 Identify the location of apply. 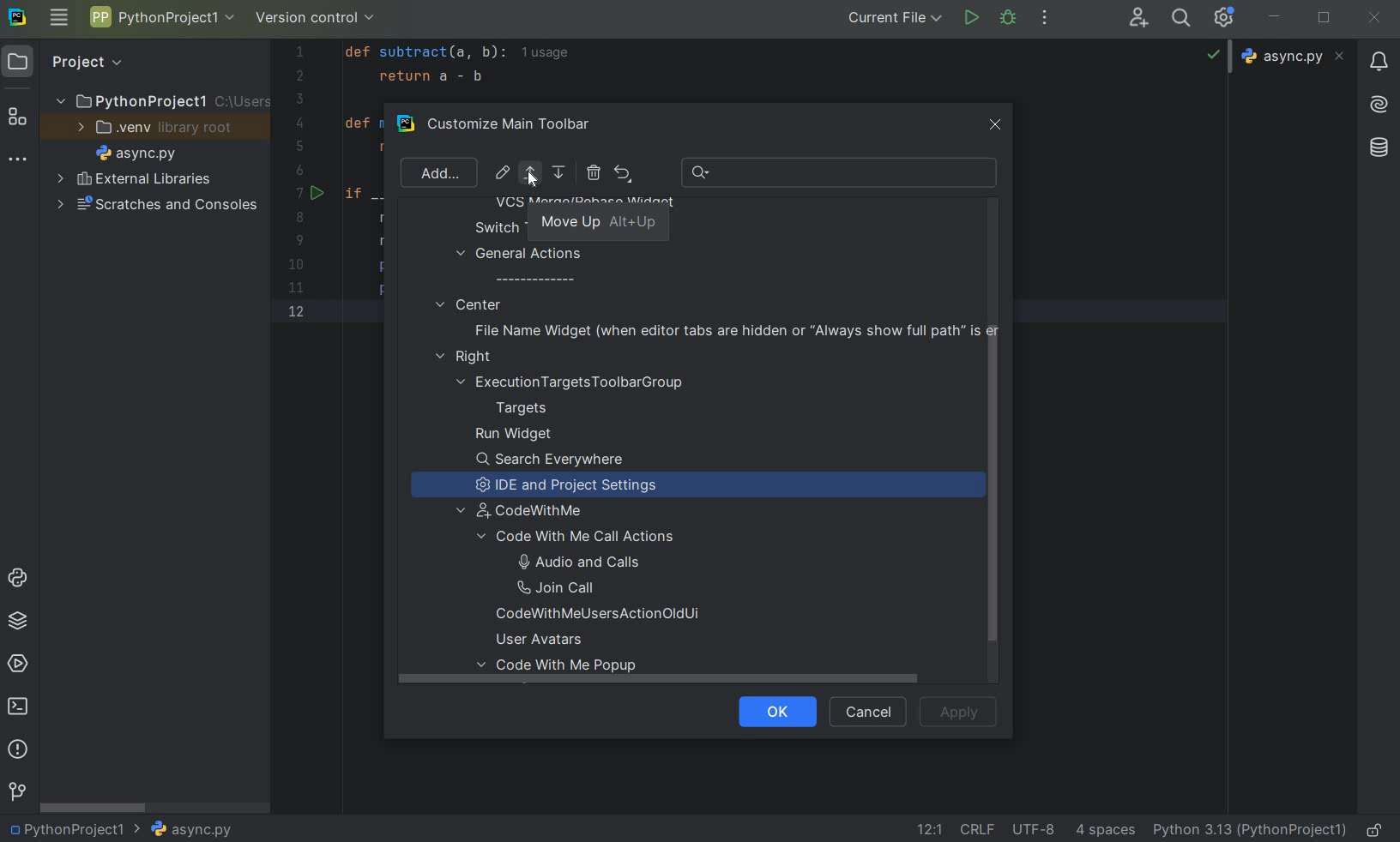
(959, 711).